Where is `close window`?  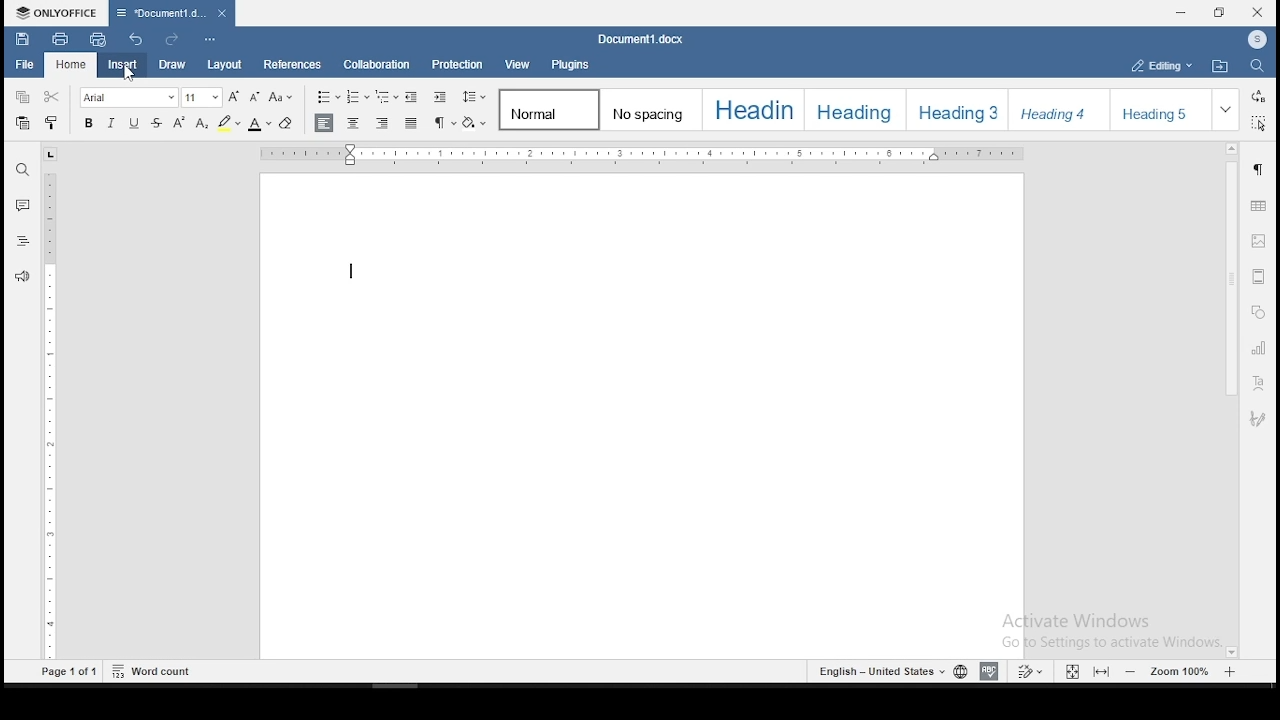 close window is located at coordinates (1257, 13).